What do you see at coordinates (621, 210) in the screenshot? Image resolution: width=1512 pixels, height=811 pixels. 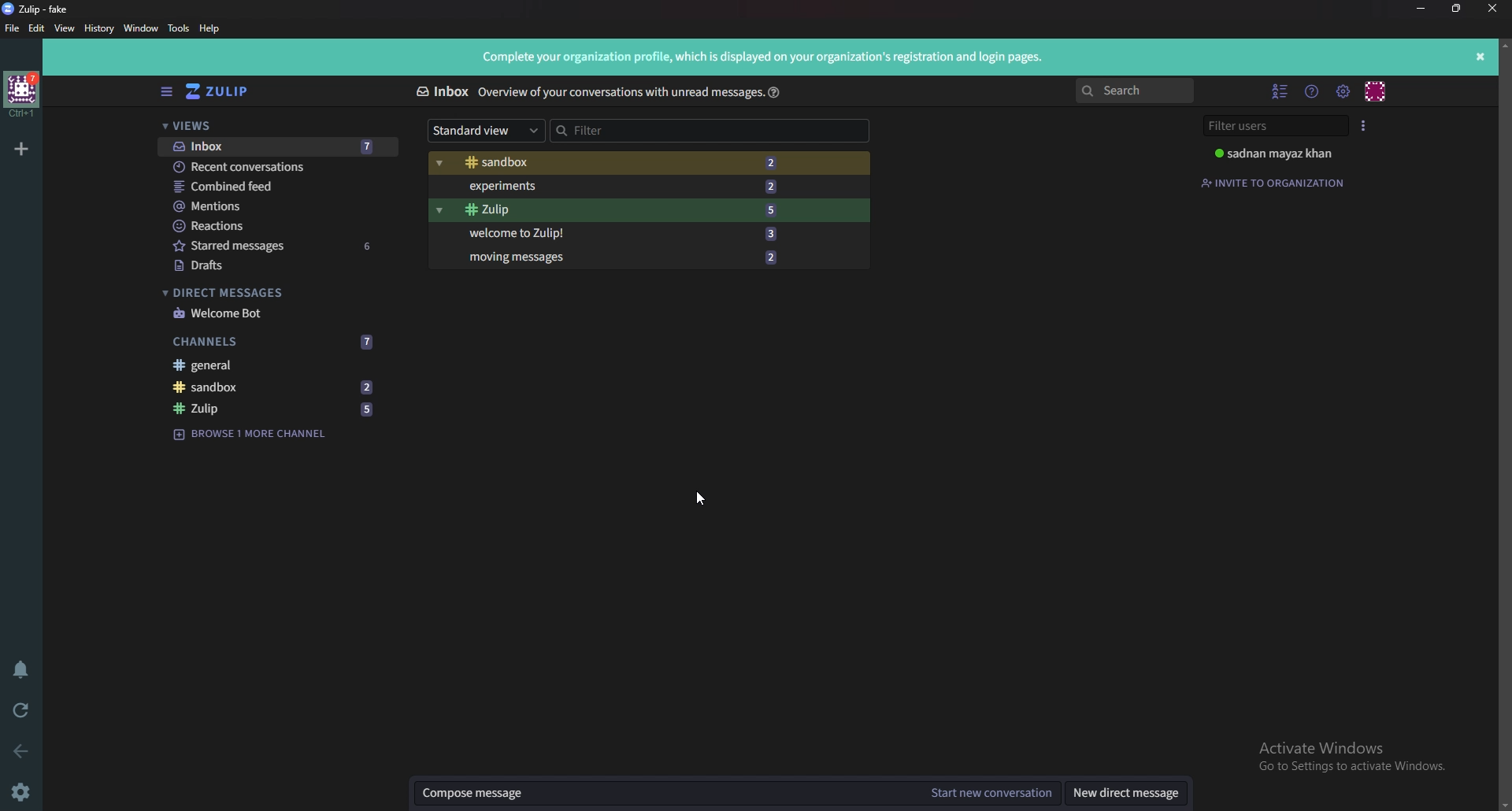 I see `Zulip` at bounding box center [621, 210].